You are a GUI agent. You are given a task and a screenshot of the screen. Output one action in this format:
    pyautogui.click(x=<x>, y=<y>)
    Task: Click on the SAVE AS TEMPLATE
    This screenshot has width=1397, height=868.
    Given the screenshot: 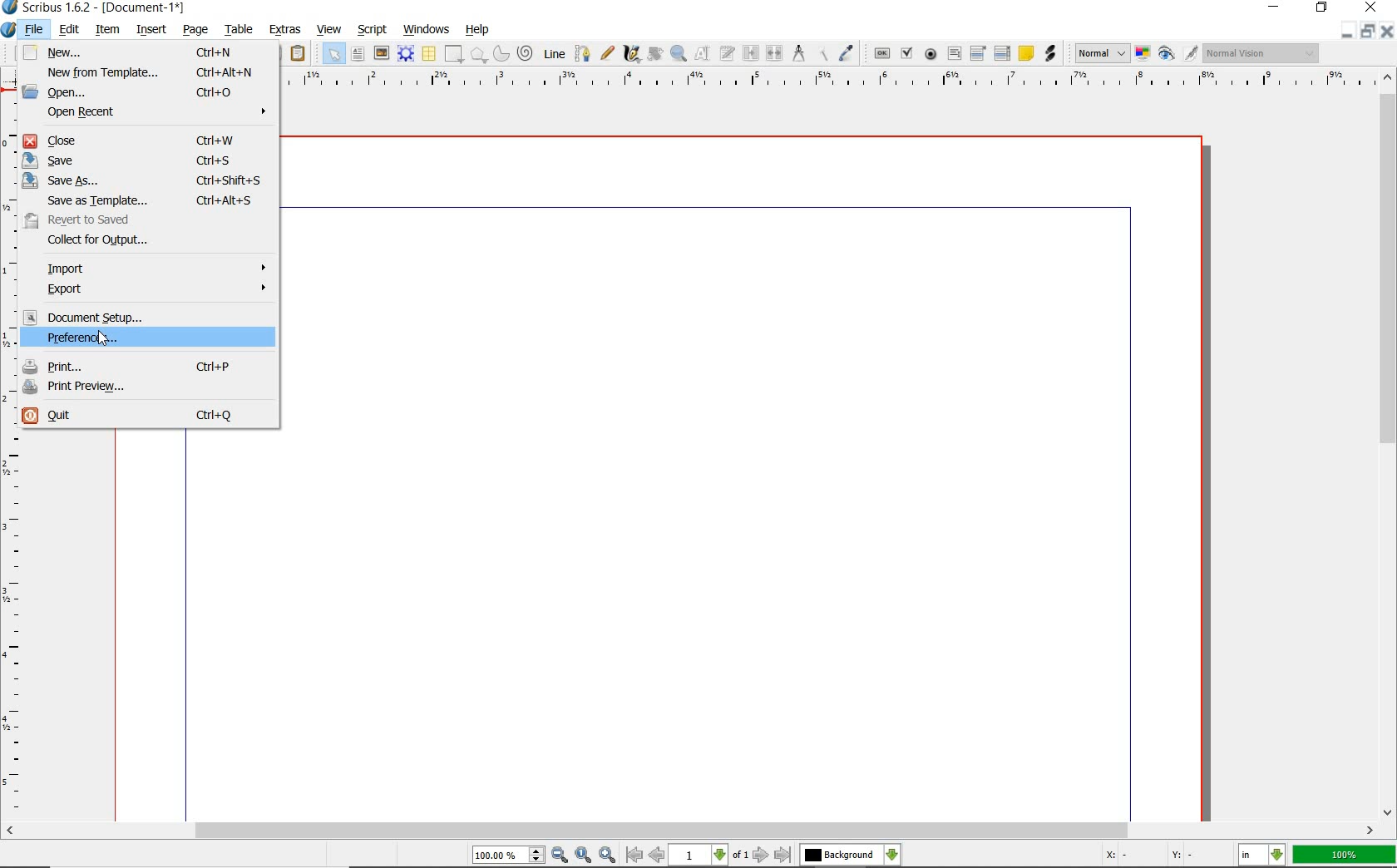 What is the action you would take?
    pyautogui.click(x=154, y=200)
    